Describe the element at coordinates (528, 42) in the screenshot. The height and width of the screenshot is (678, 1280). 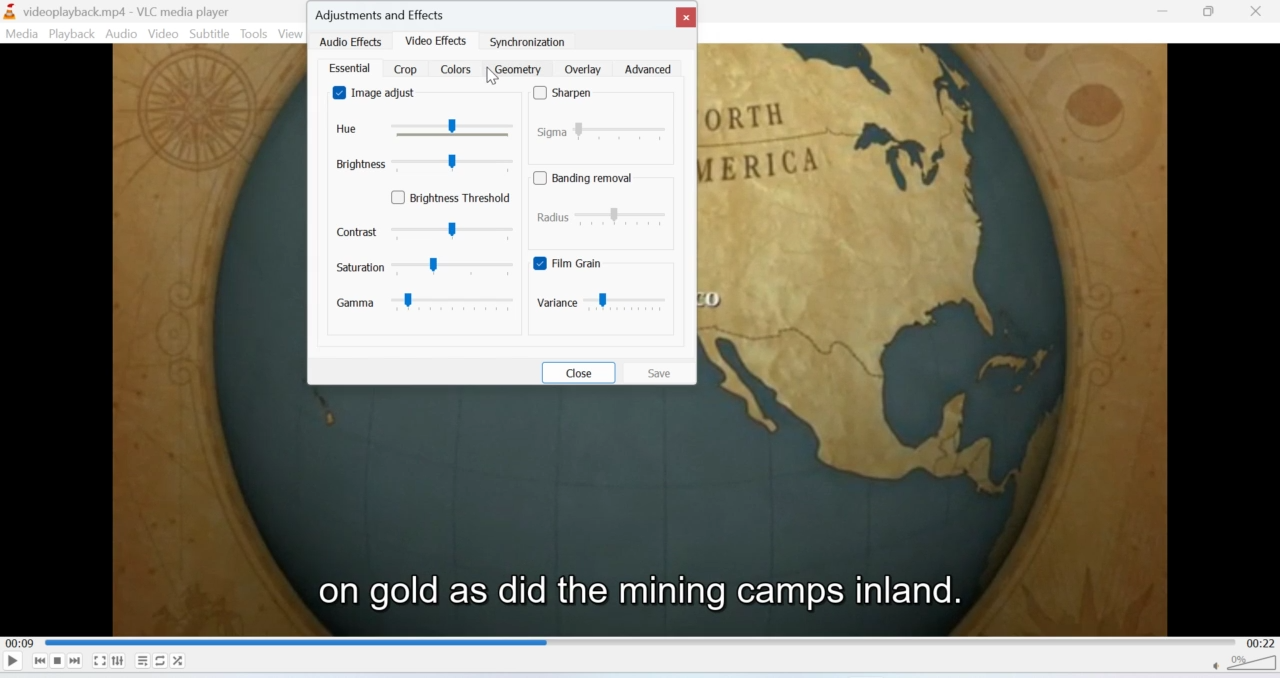
I see `synchronization` at that location.